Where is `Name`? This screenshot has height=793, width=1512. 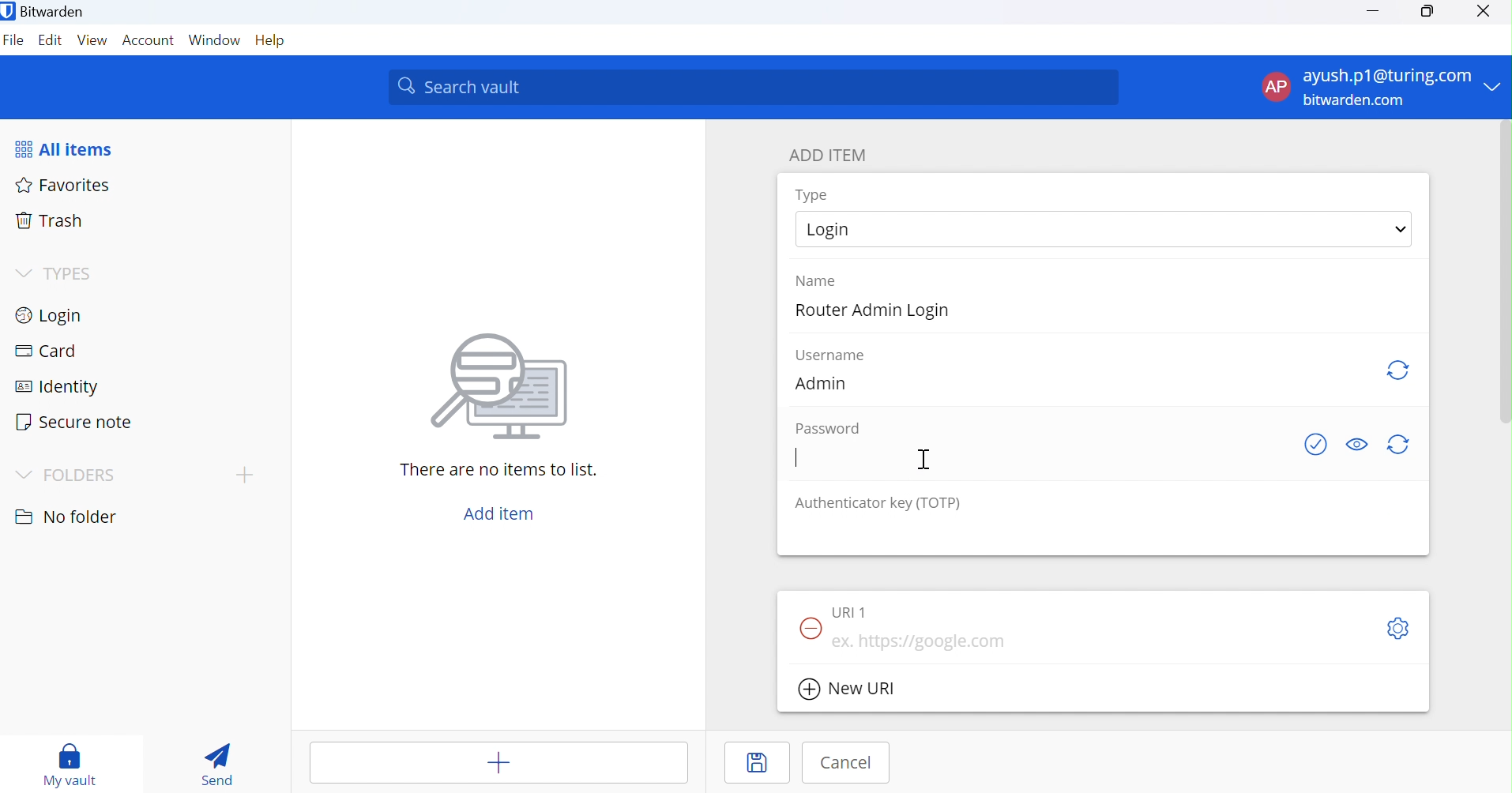 Name is located at coordinates (825, 280).